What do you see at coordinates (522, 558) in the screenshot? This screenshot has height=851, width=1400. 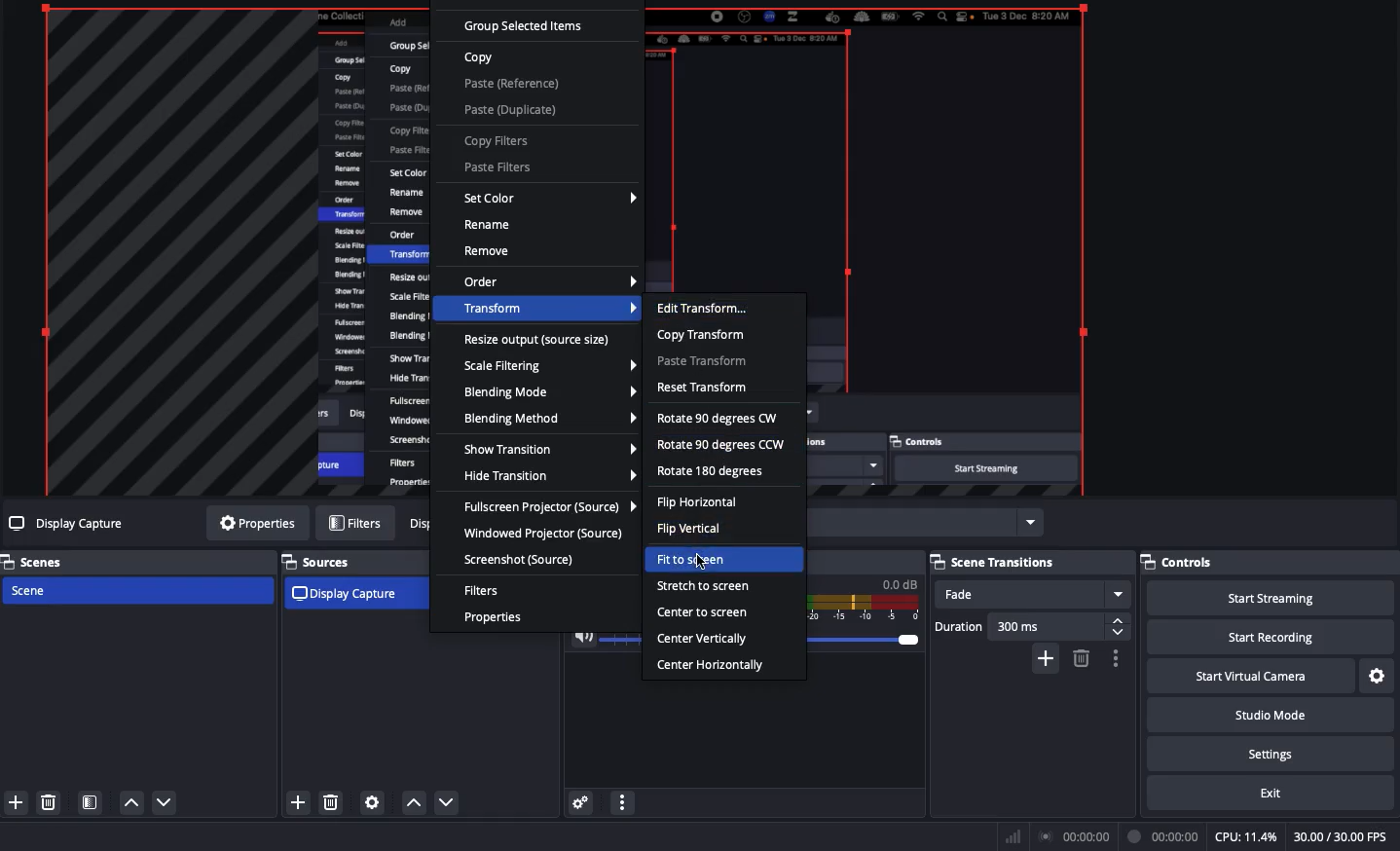 I see `Screenshot` at bounding box center [522, 558].